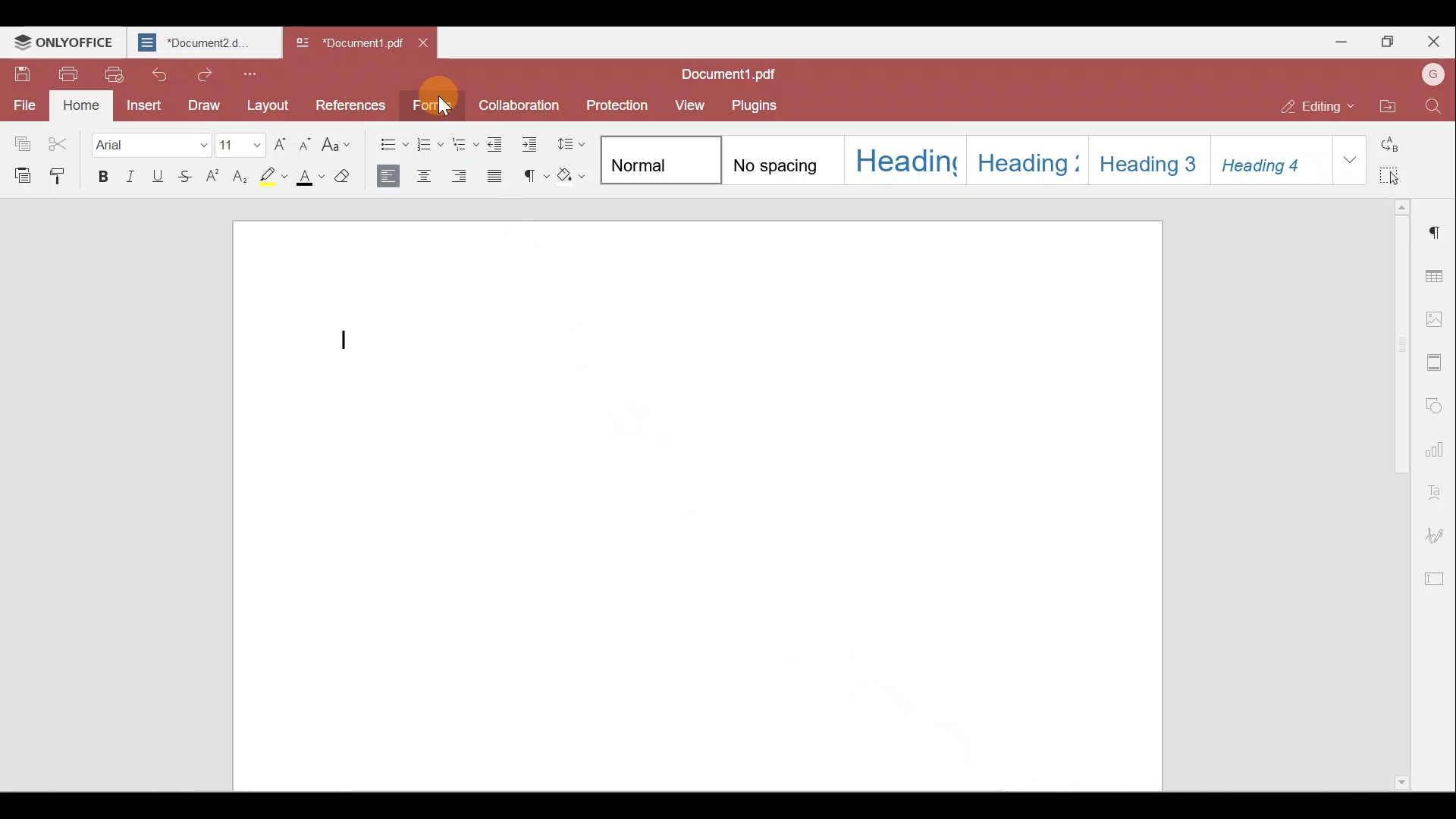 Image resolution: width=1456 pixels, height=819 pixels. I want to click on ONLYOFFICE, so click(64, 41).